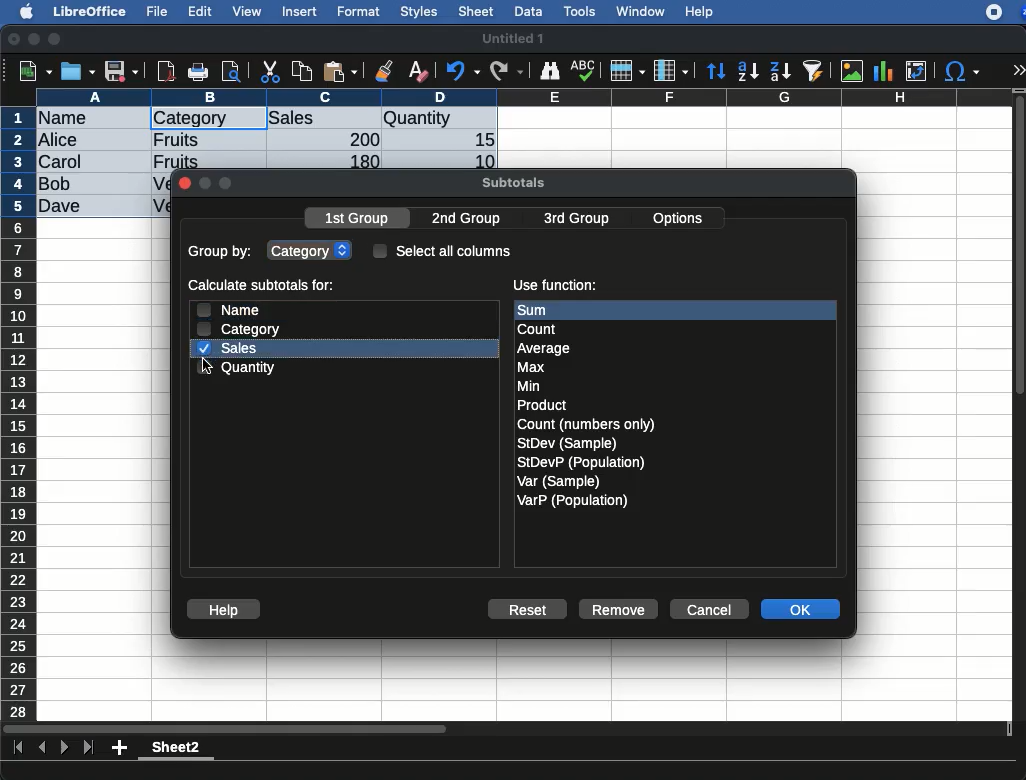 This screenshot has width=1026, height=780. I want to click on subtotals, so click(513, 180).